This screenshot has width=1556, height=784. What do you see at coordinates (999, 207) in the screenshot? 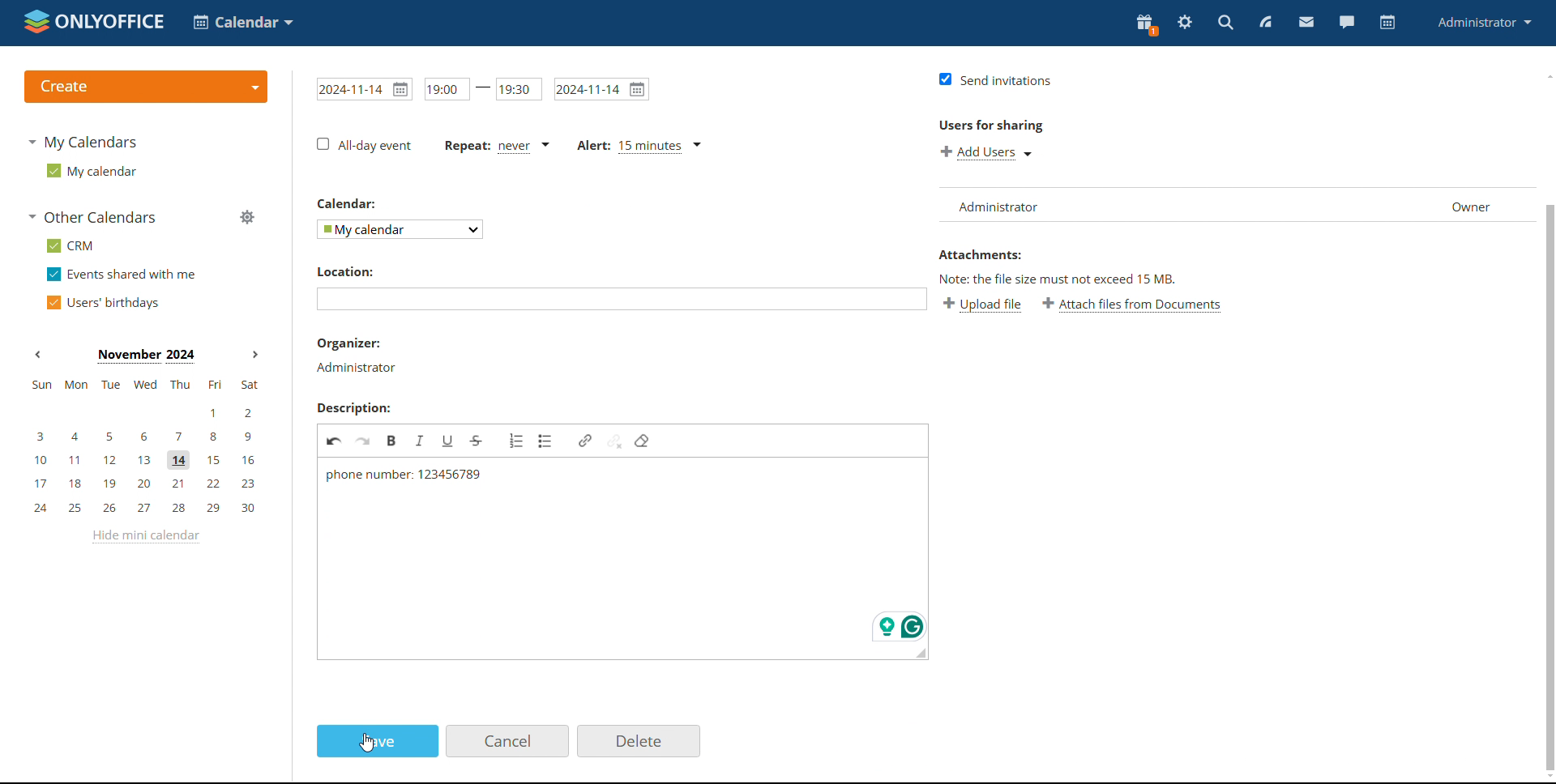
I see `administrator` at bounding box center [999, 207].